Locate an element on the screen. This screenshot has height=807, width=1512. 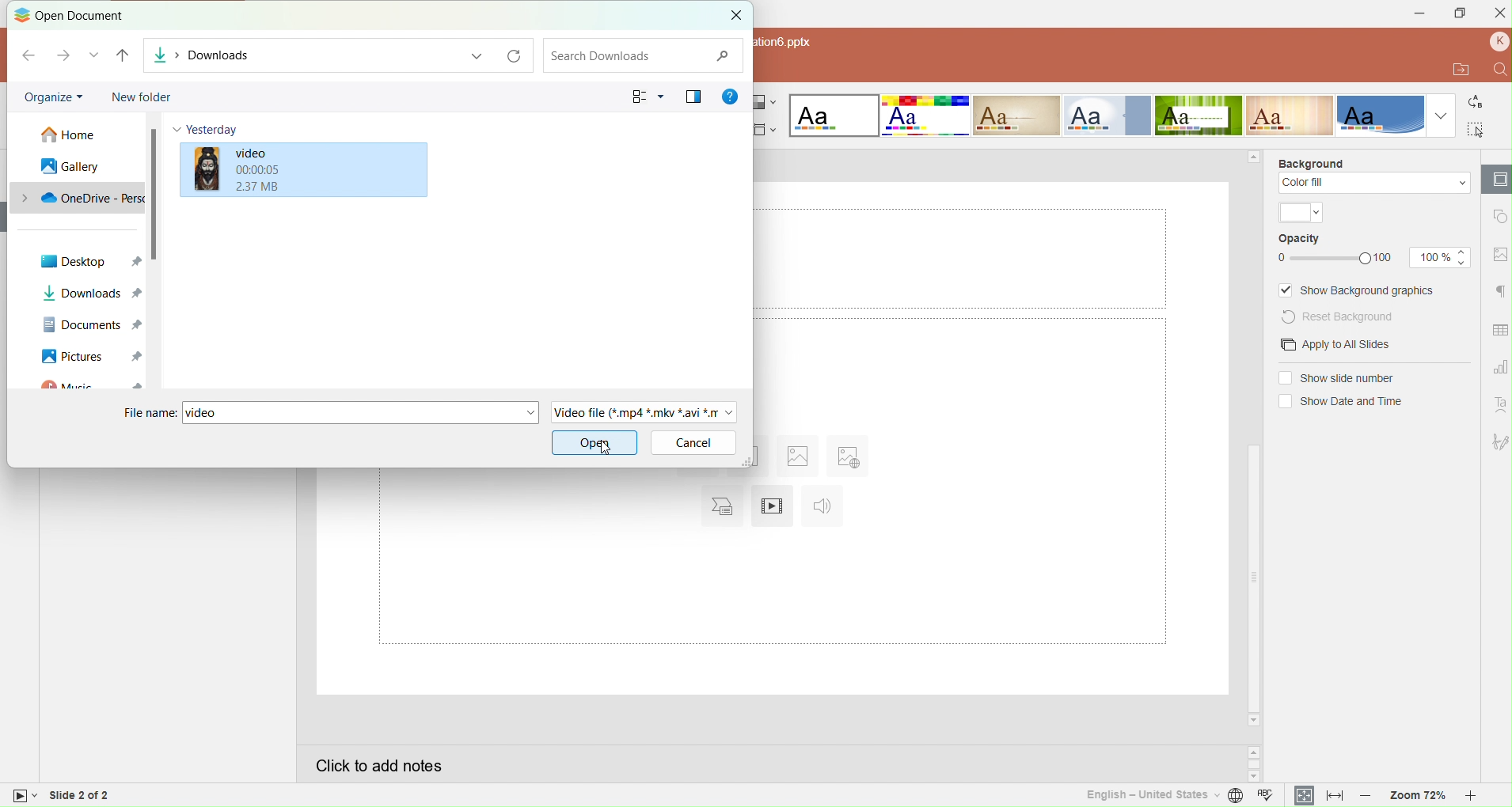
Back is located at coordinates (27, 55).